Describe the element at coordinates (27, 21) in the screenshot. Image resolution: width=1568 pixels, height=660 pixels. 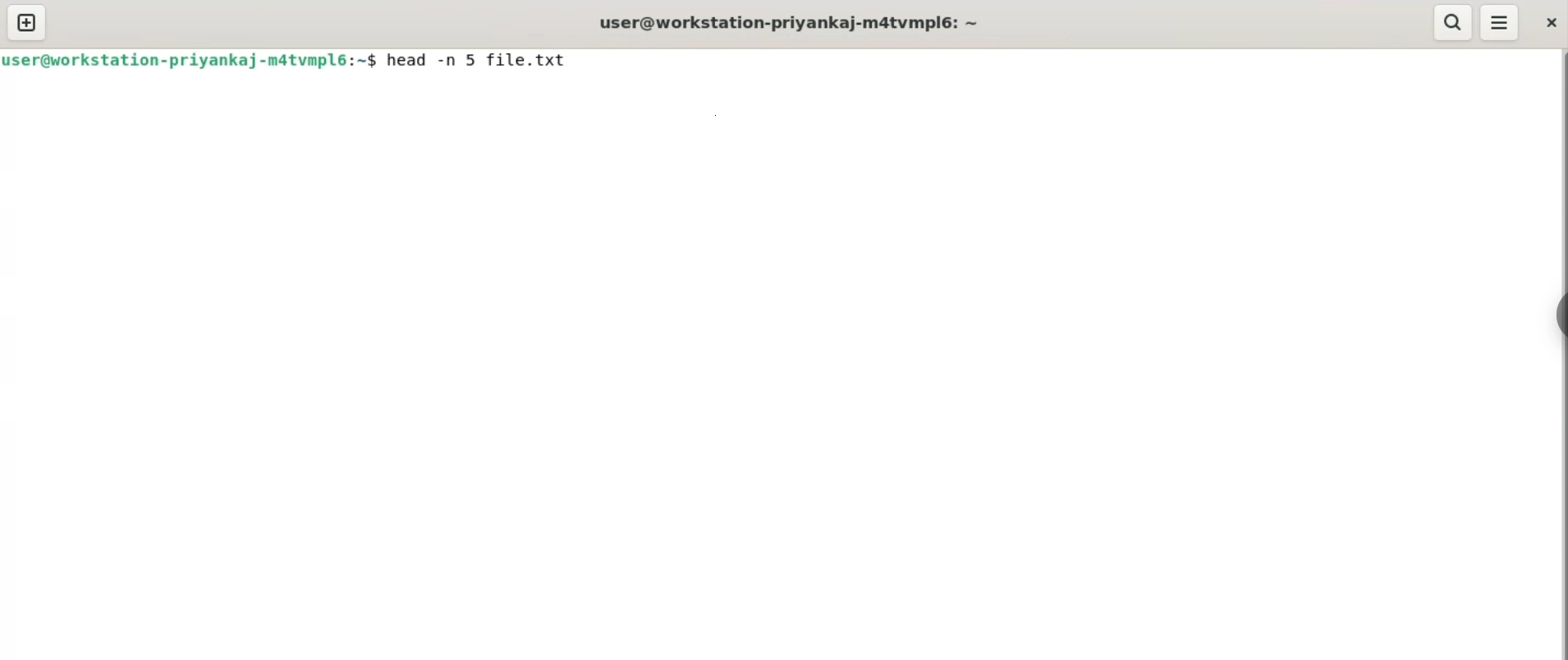
I see `new tab` at that location.